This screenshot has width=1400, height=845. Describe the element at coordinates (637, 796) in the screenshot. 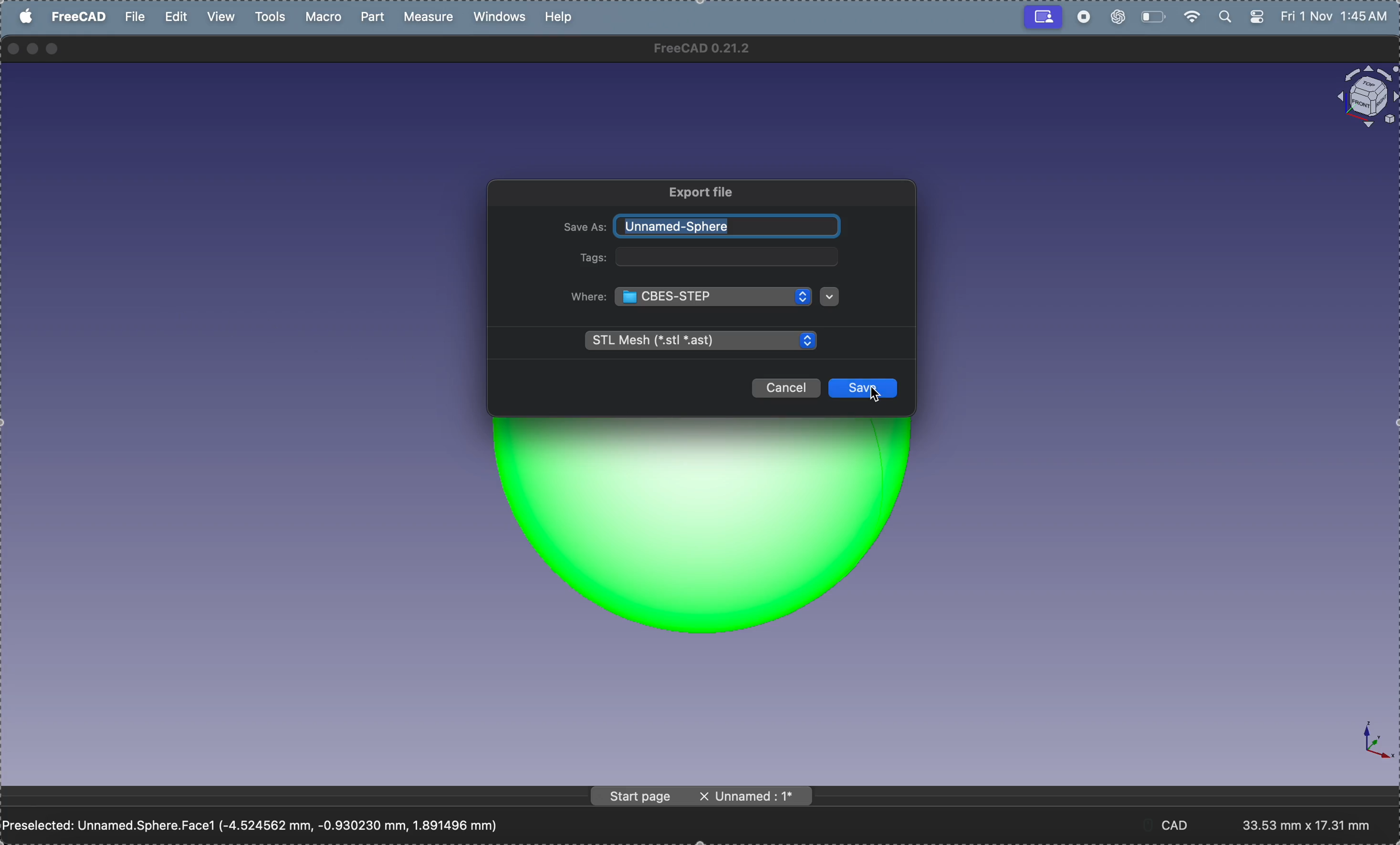

I see `start page` at that location.